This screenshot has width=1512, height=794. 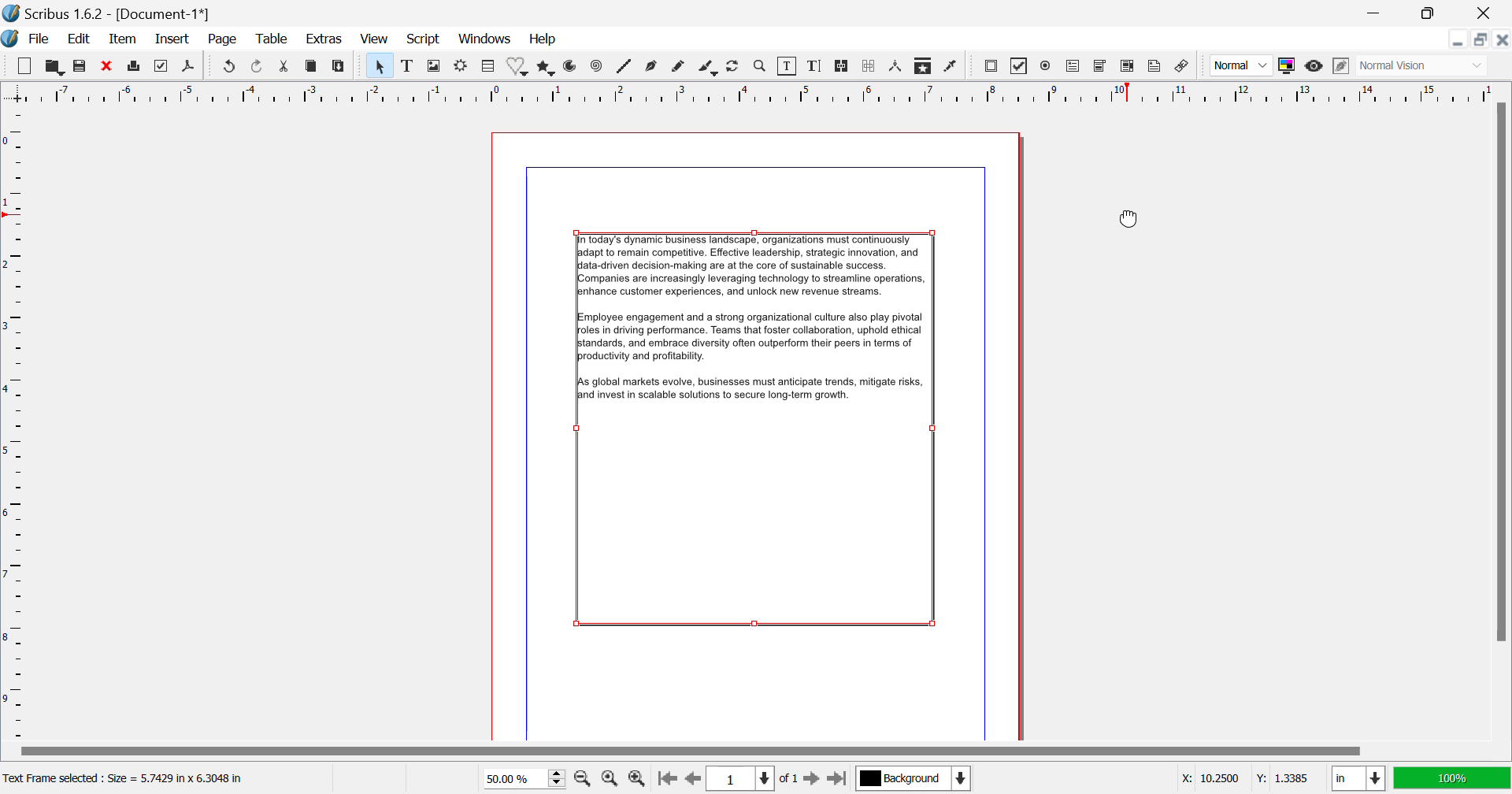 What do you see at coordinates (1288, 65) in the screenshot?
I see `Toggle Color Management` at bounding box center [1288, 65].